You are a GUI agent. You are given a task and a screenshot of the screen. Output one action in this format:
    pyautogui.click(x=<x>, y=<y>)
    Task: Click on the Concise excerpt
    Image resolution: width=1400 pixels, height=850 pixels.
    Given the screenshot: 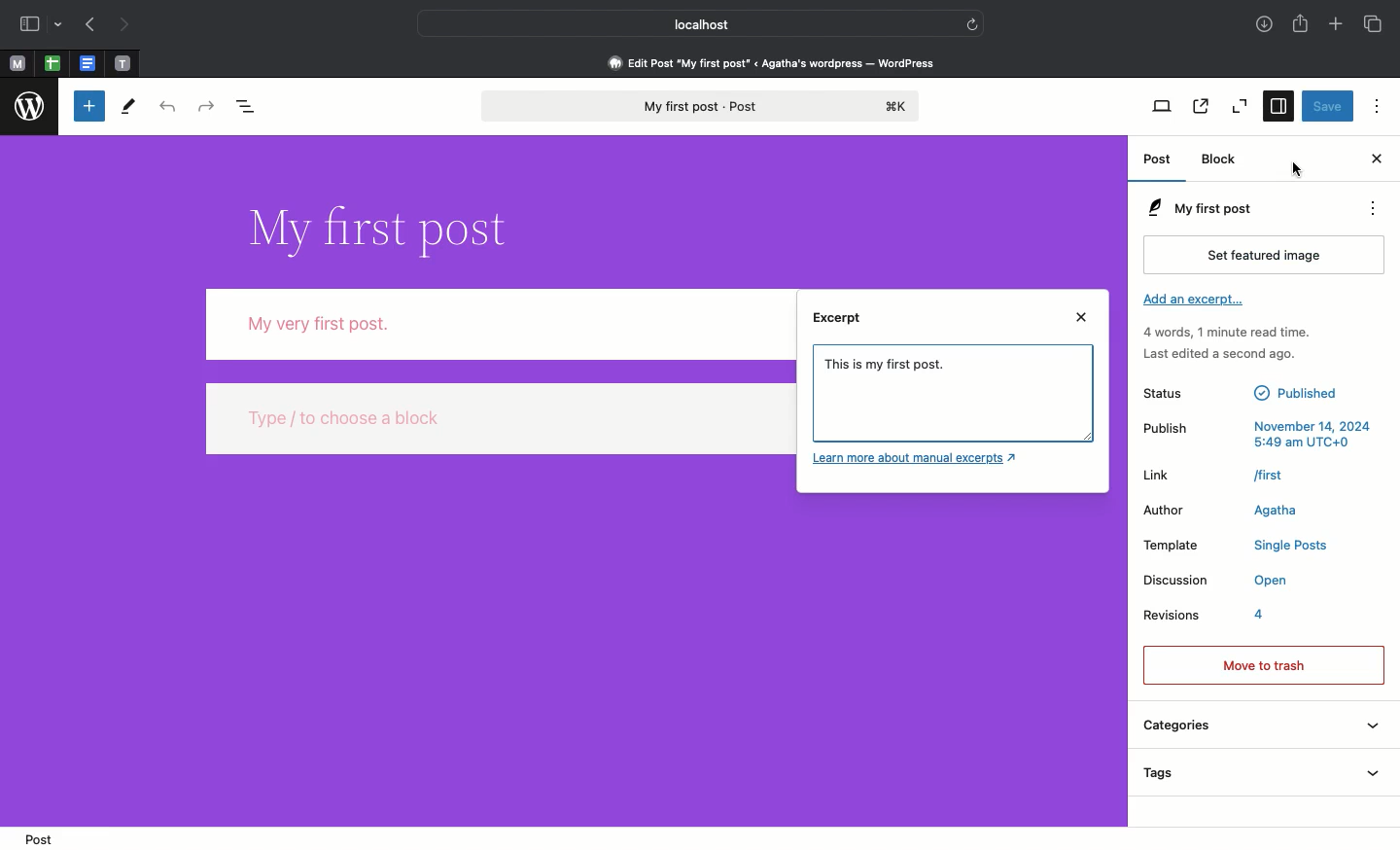 What is the action you would take?
    pyautogui.click(x=893, y=371)
    